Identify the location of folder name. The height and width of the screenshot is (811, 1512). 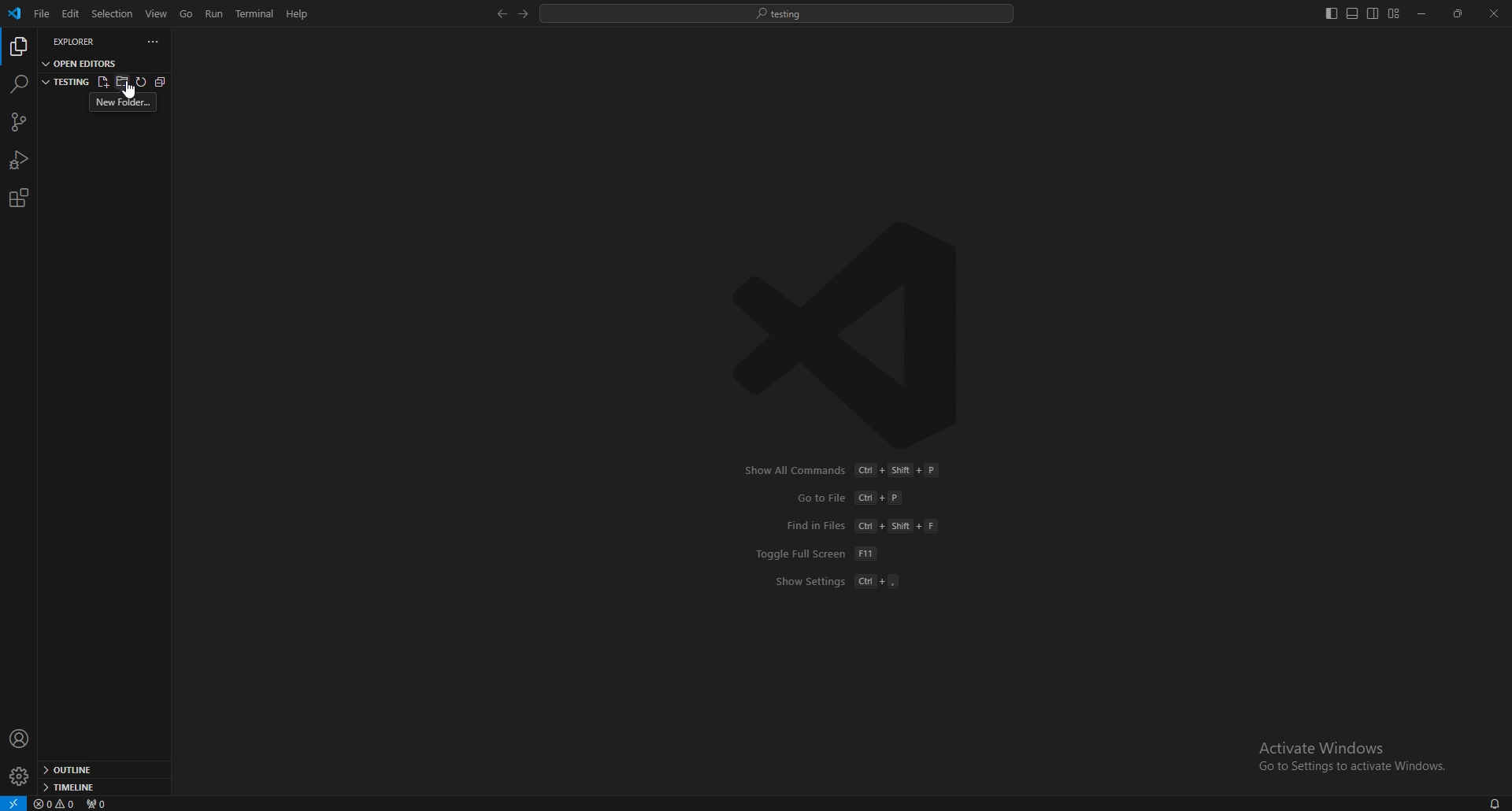
(65, 80).